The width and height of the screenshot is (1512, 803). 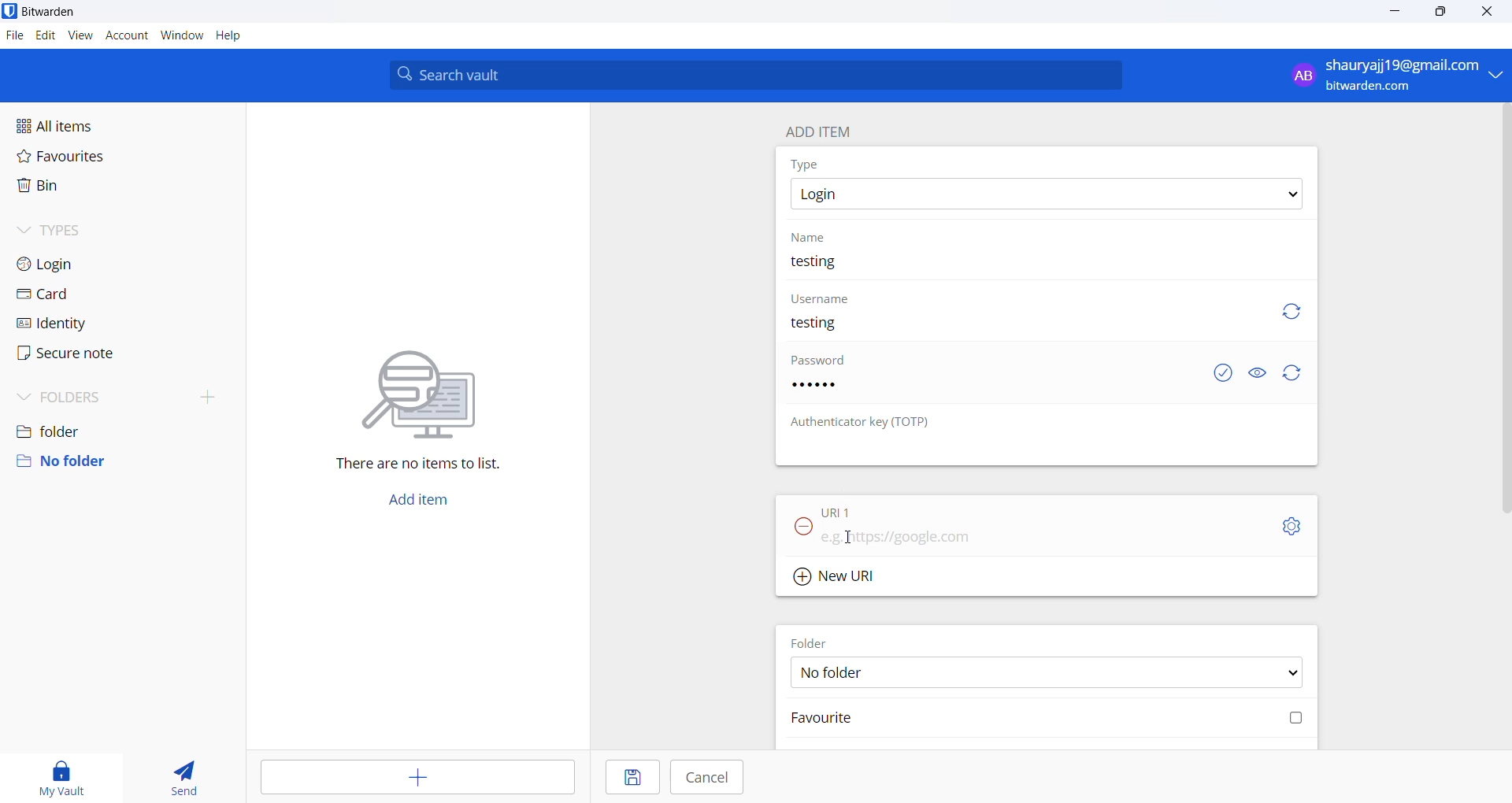 What do you see at coordinates (847, 537) in the screenshot?
I see `cursor` at bounding box center [847, 537].